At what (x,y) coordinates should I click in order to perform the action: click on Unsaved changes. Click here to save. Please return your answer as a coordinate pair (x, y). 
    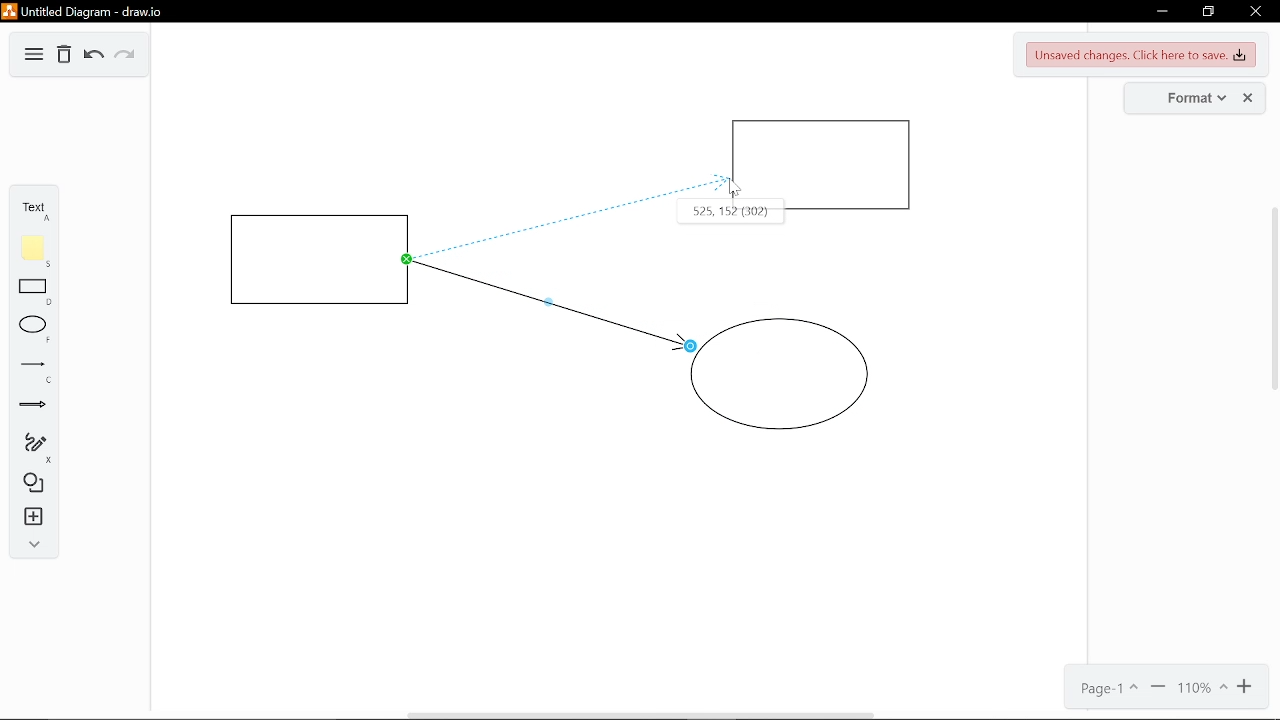
    Looking at the image, I should click on (1142, 53).